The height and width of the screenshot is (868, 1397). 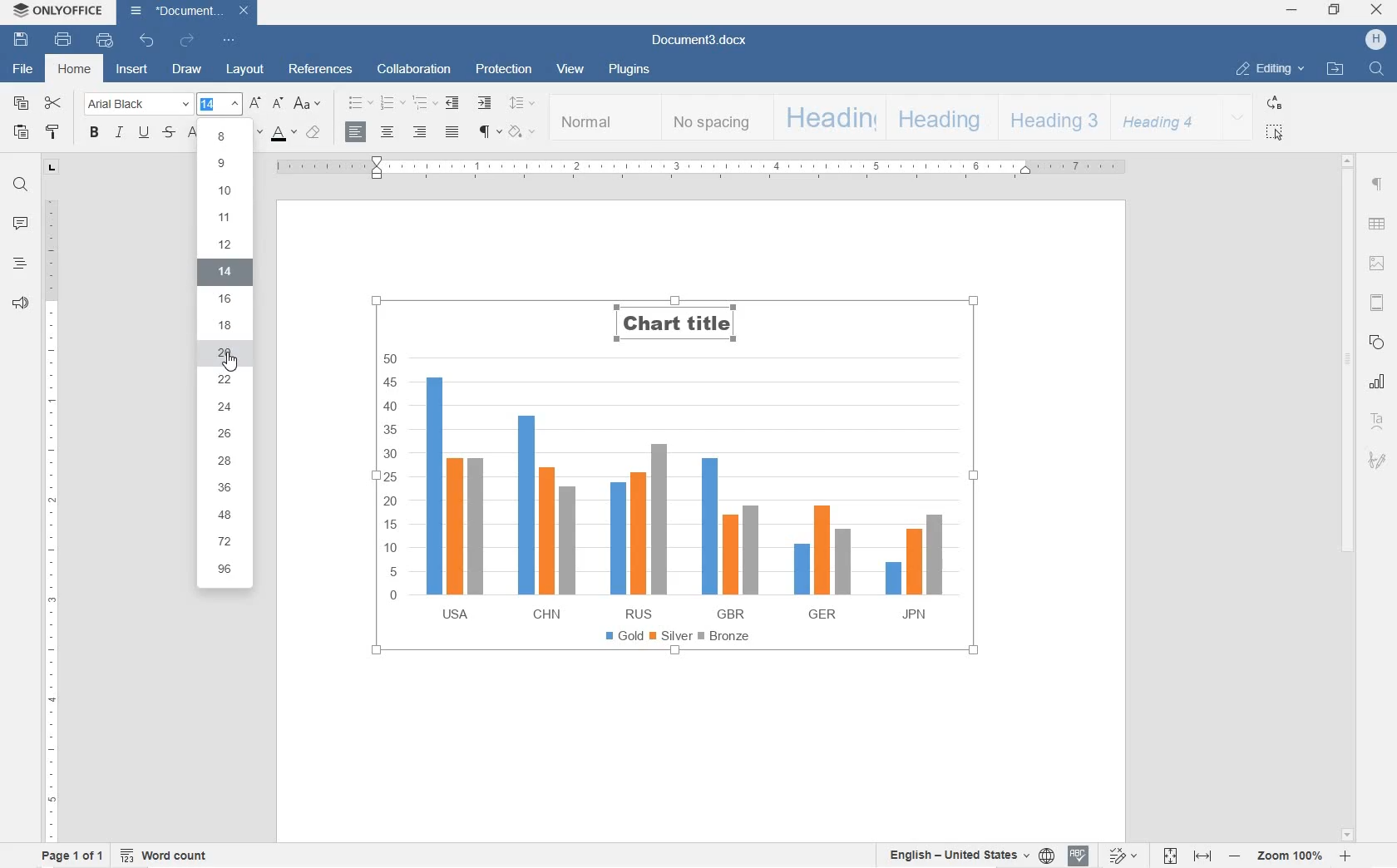 I want to click on SHADING, so click(x=523, y=131).